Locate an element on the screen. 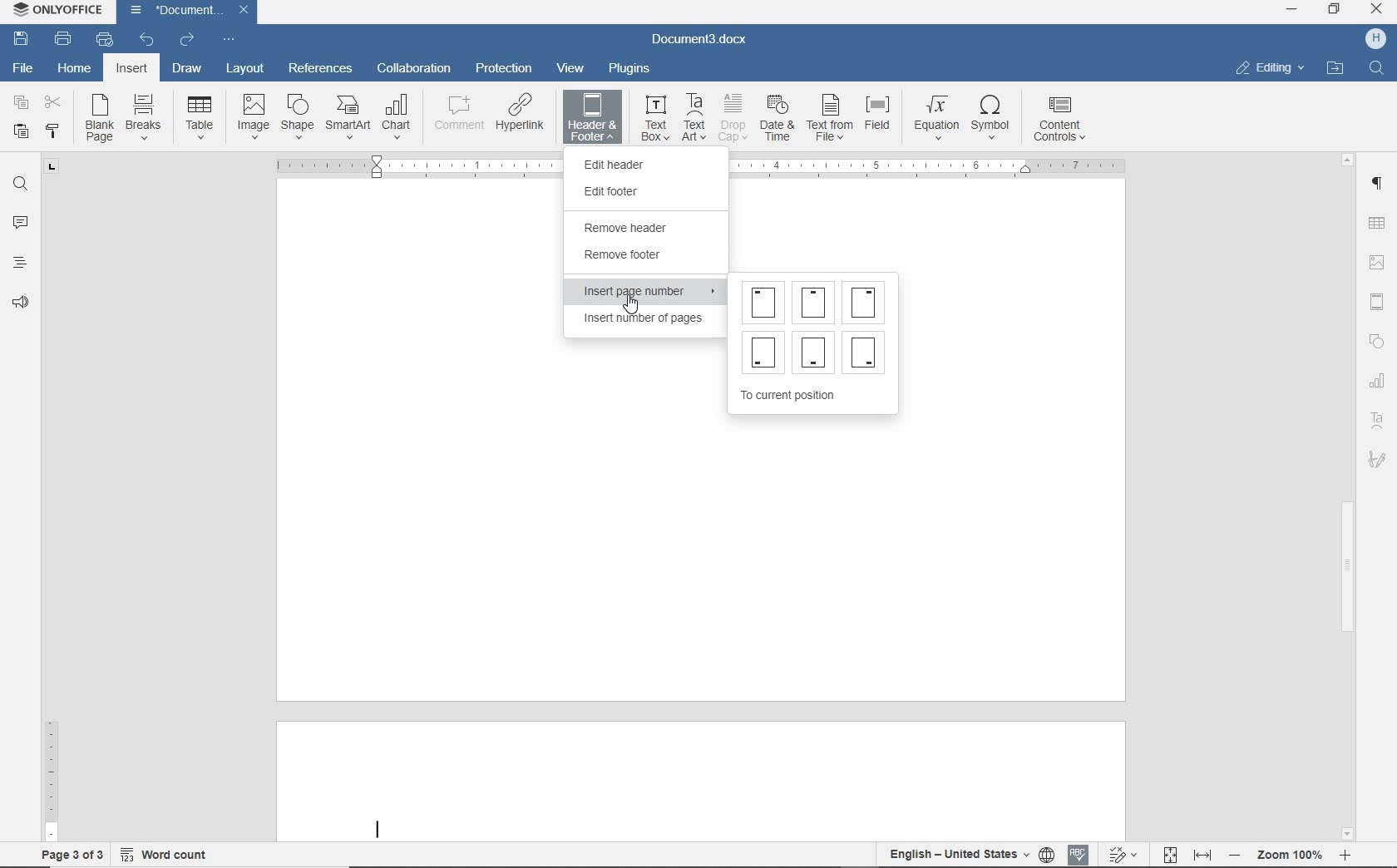  COPY is located at coordinates (21, 103).